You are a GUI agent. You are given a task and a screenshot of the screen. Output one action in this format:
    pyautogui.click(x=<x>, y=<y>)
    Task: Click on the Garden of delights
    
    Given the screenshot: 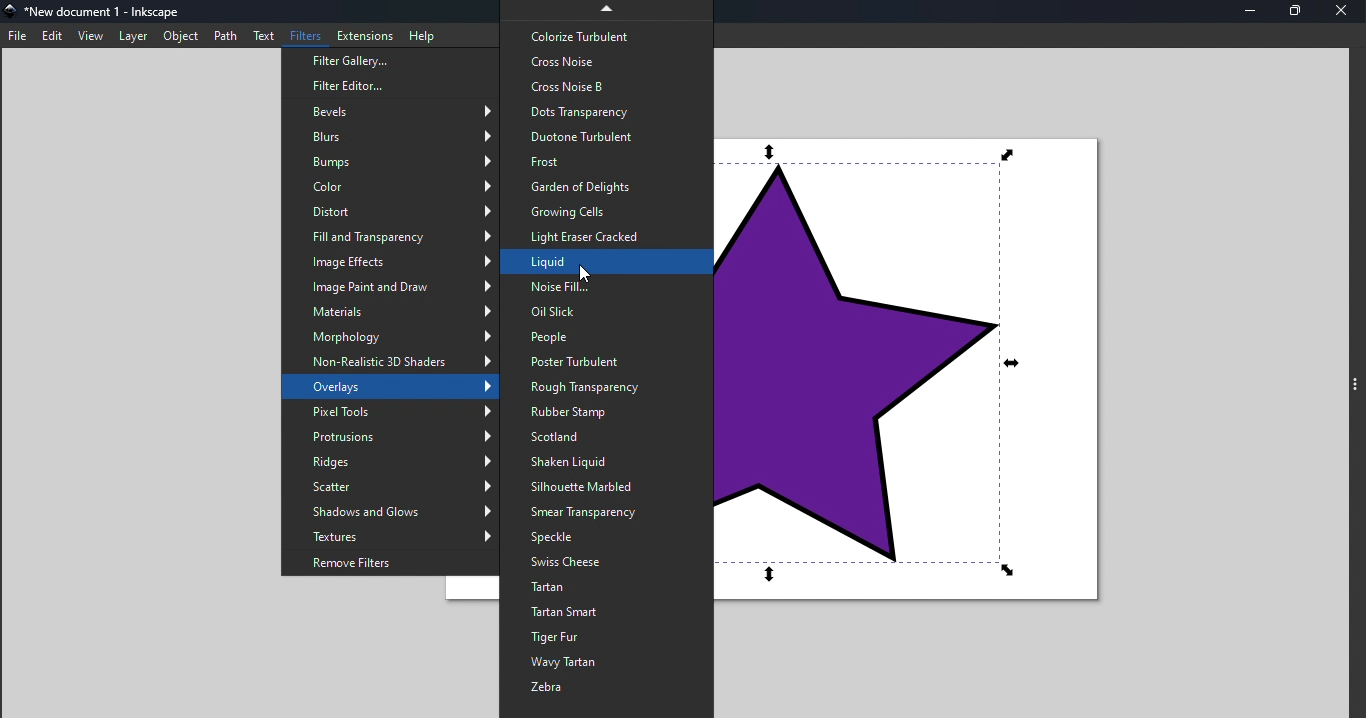 What is the action you would take?
    pyautogui.click(x=604, y=188)
    